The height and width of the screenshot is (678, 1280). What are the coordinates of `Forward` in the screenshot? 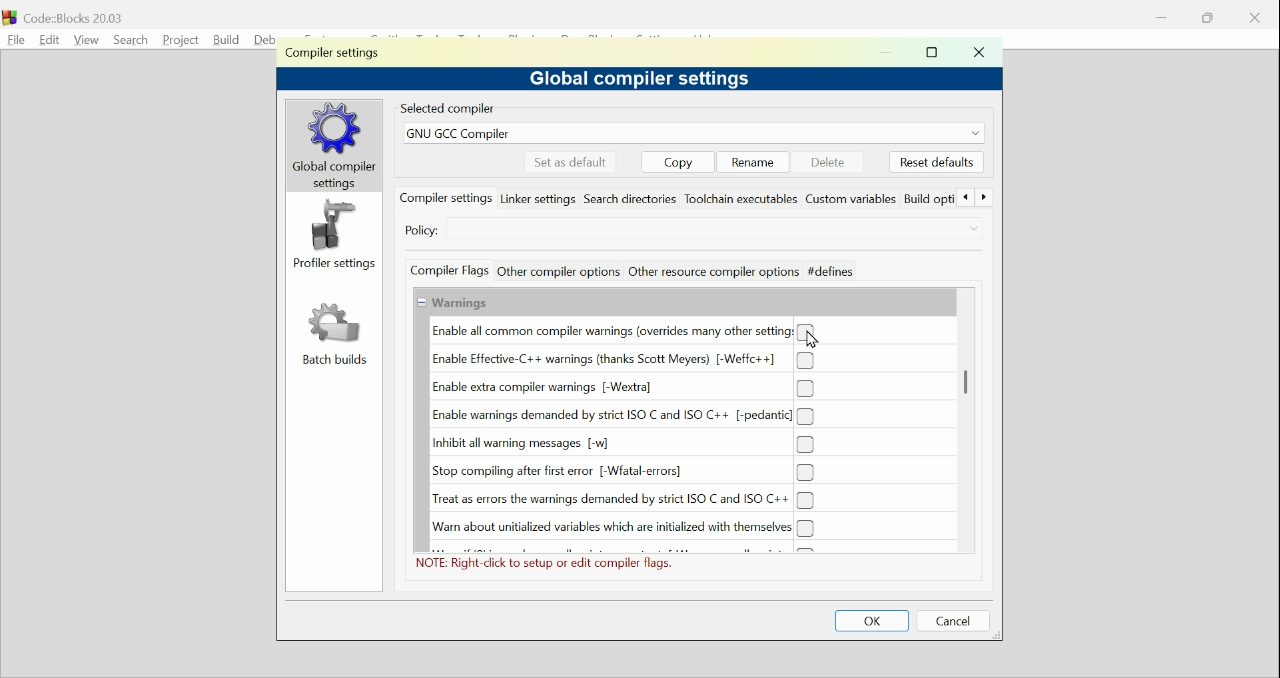 It's located at (985, 199).